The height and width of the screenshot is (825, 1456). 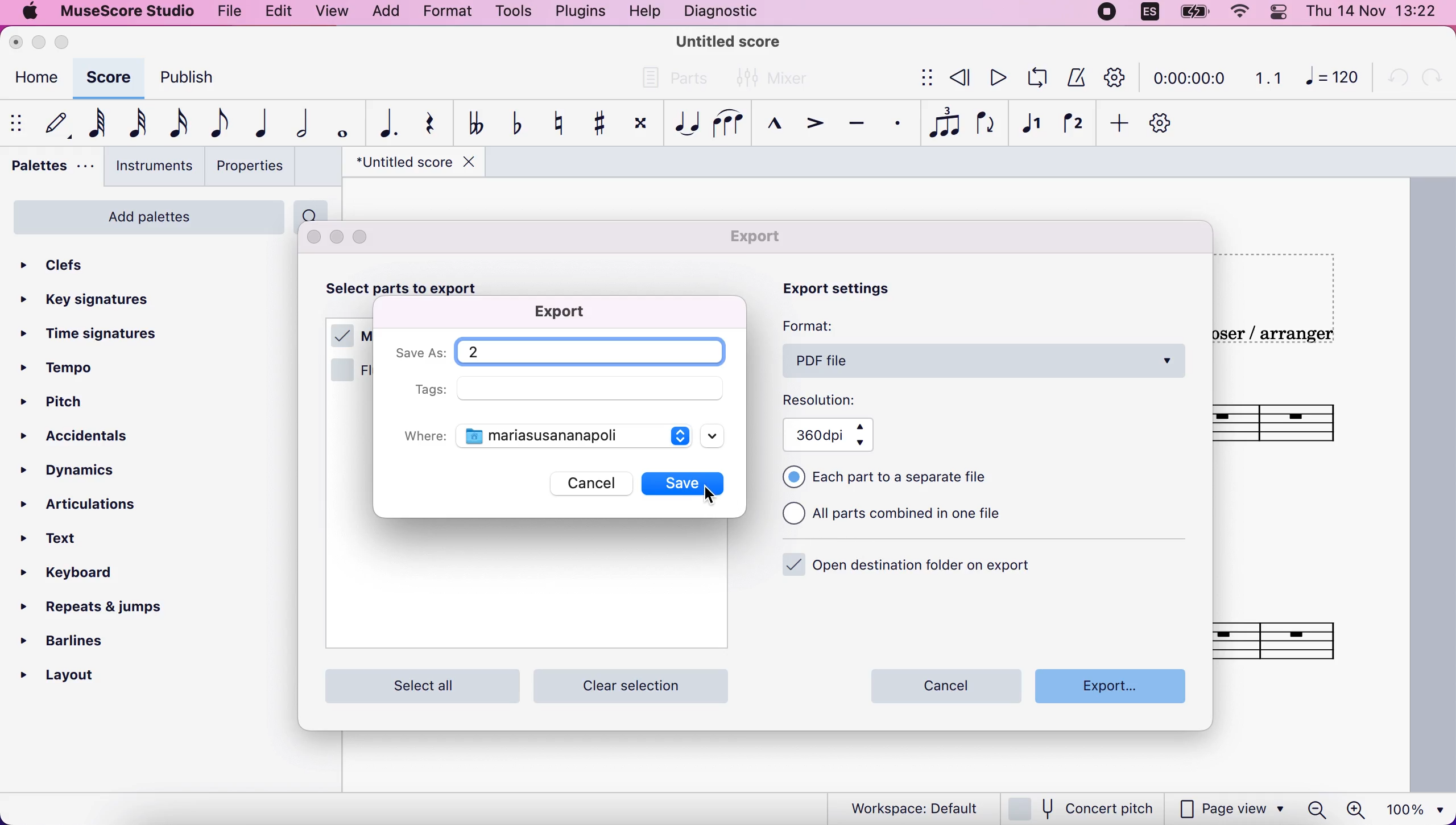 What do you see at coordinates (726, 125) in the screenshot?
I see `slur` at bounding box center [726, 125].